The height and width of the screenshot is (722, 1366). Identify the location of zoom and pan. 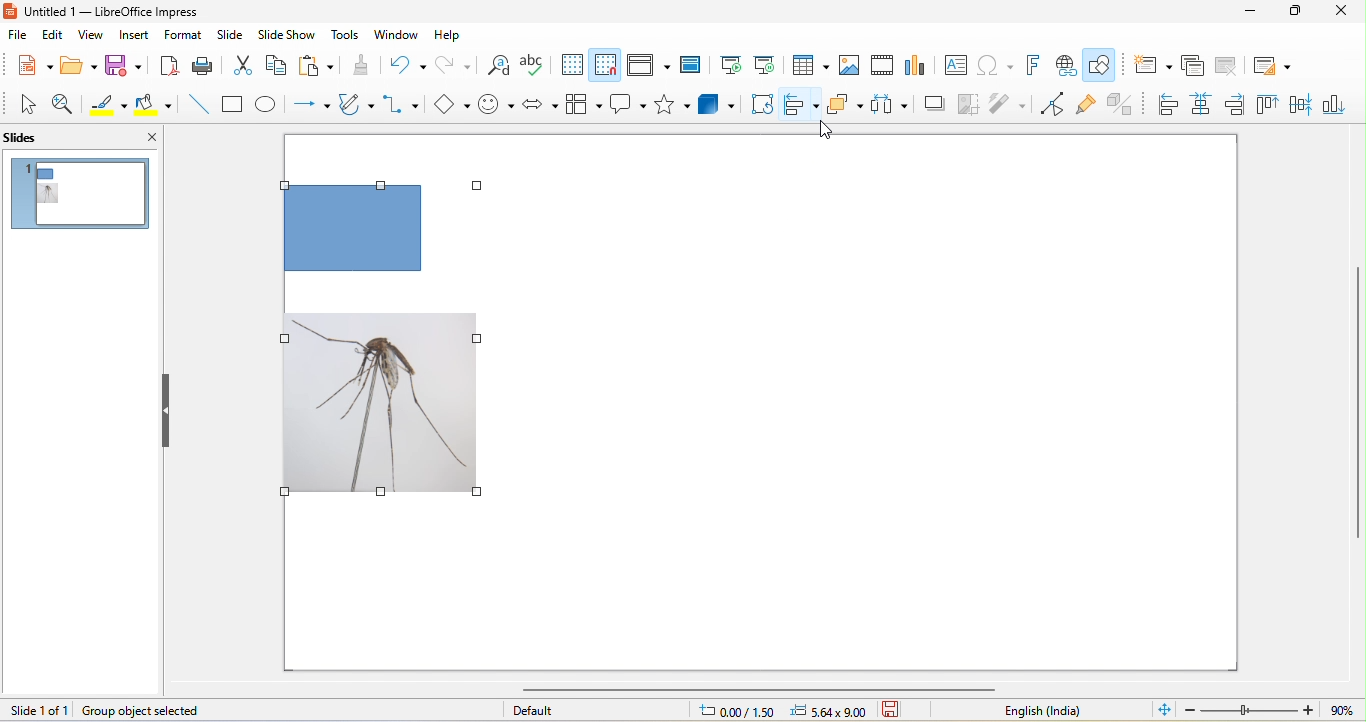
(65, 104).